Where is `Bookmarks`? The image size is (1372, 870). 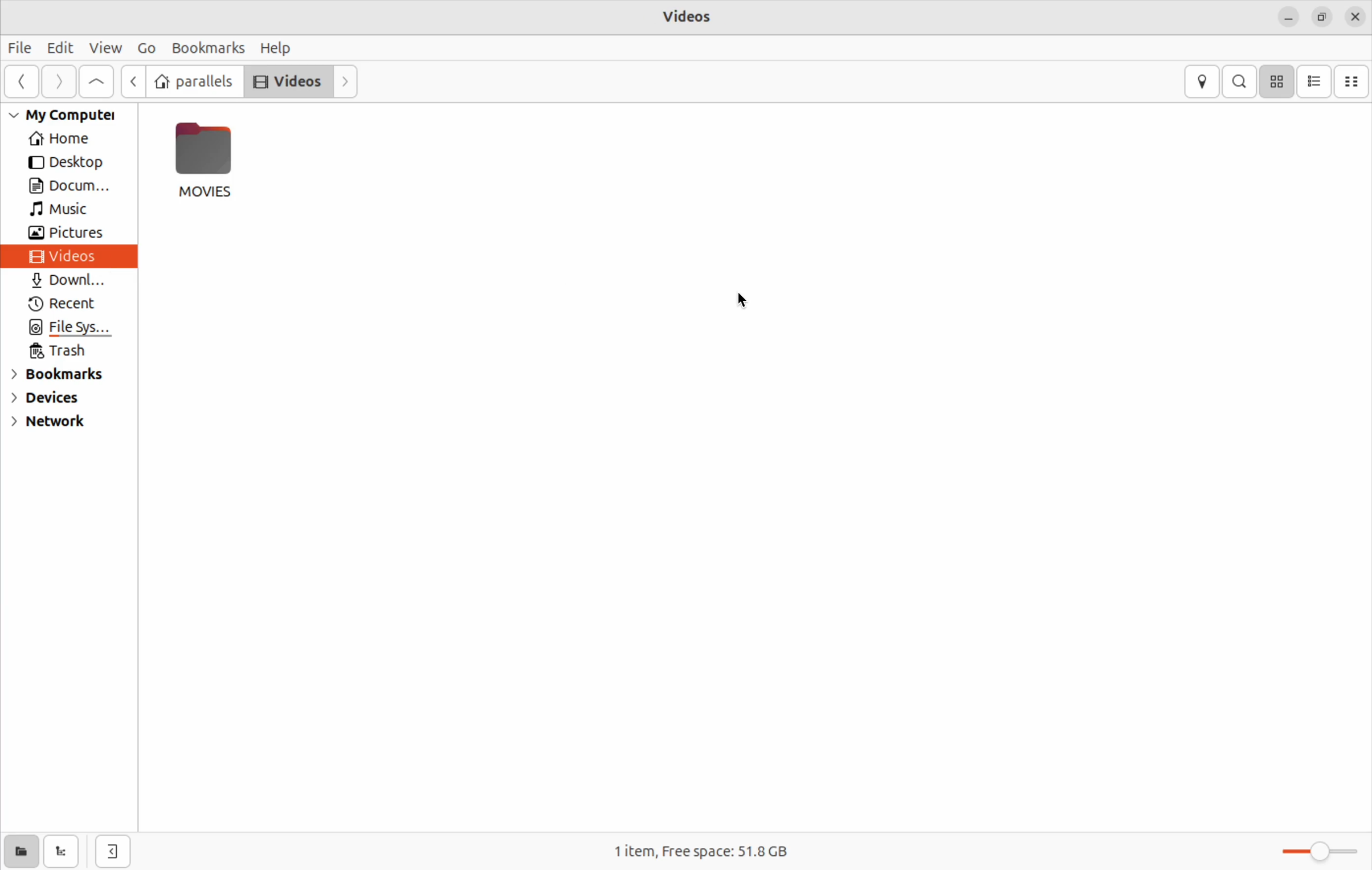 Bookmarks is located at coordinates (60, 377).